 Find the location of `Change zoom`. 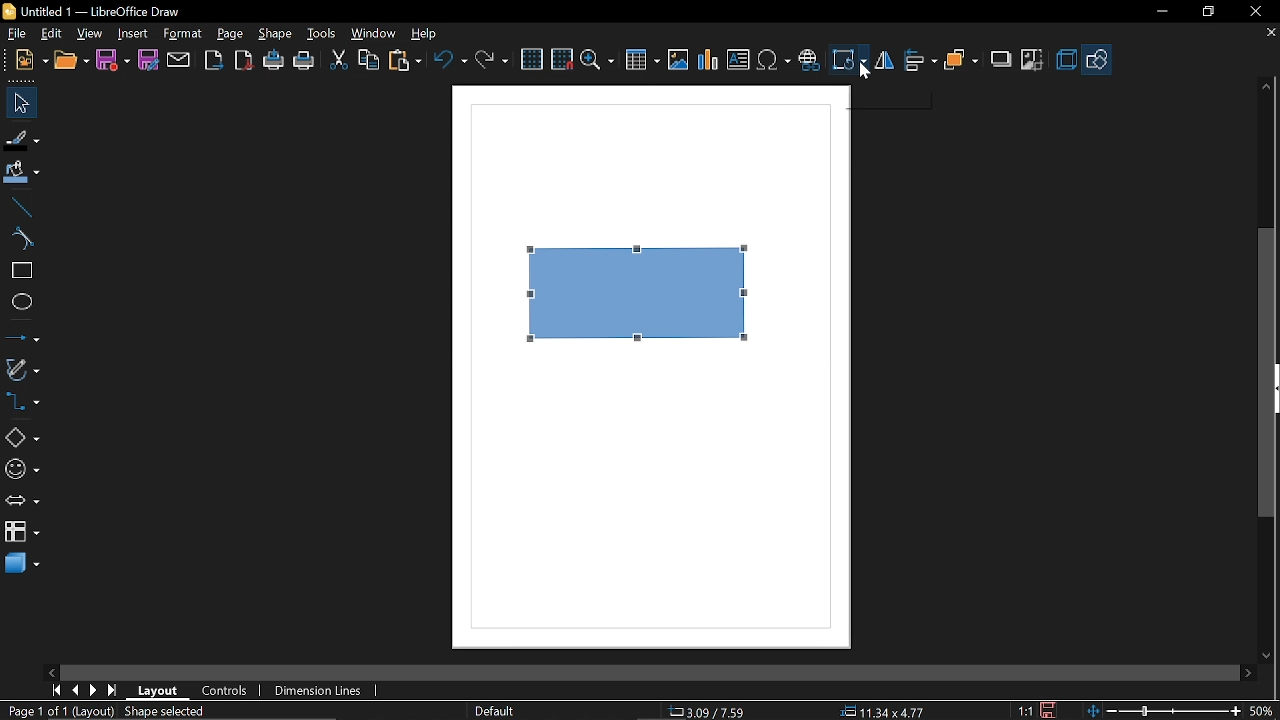

Change zoom is located at coordinates (1161, 710).